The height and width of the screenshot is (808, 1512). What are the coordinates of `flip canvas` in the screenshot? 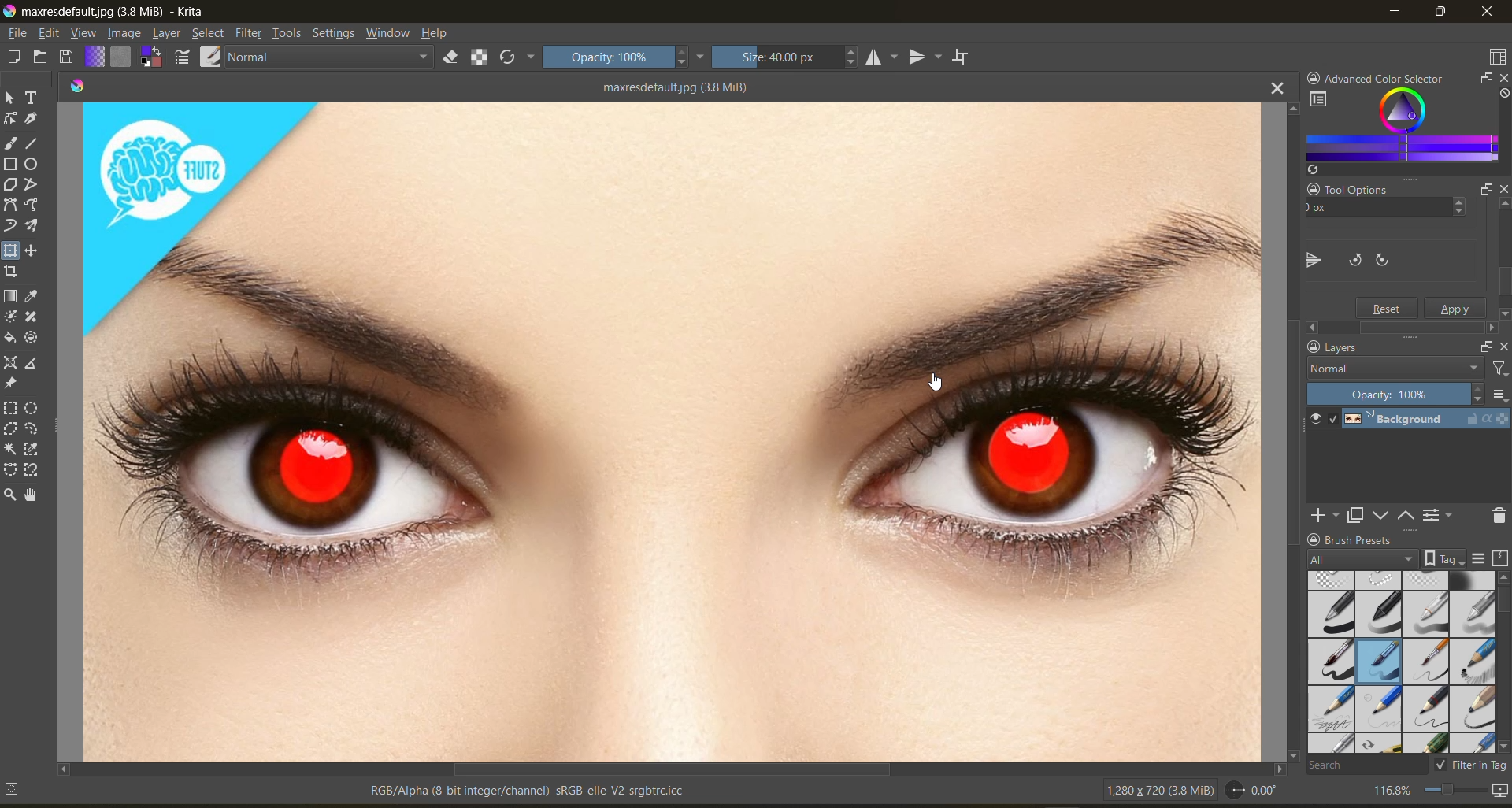 It's located at (1311, 261).